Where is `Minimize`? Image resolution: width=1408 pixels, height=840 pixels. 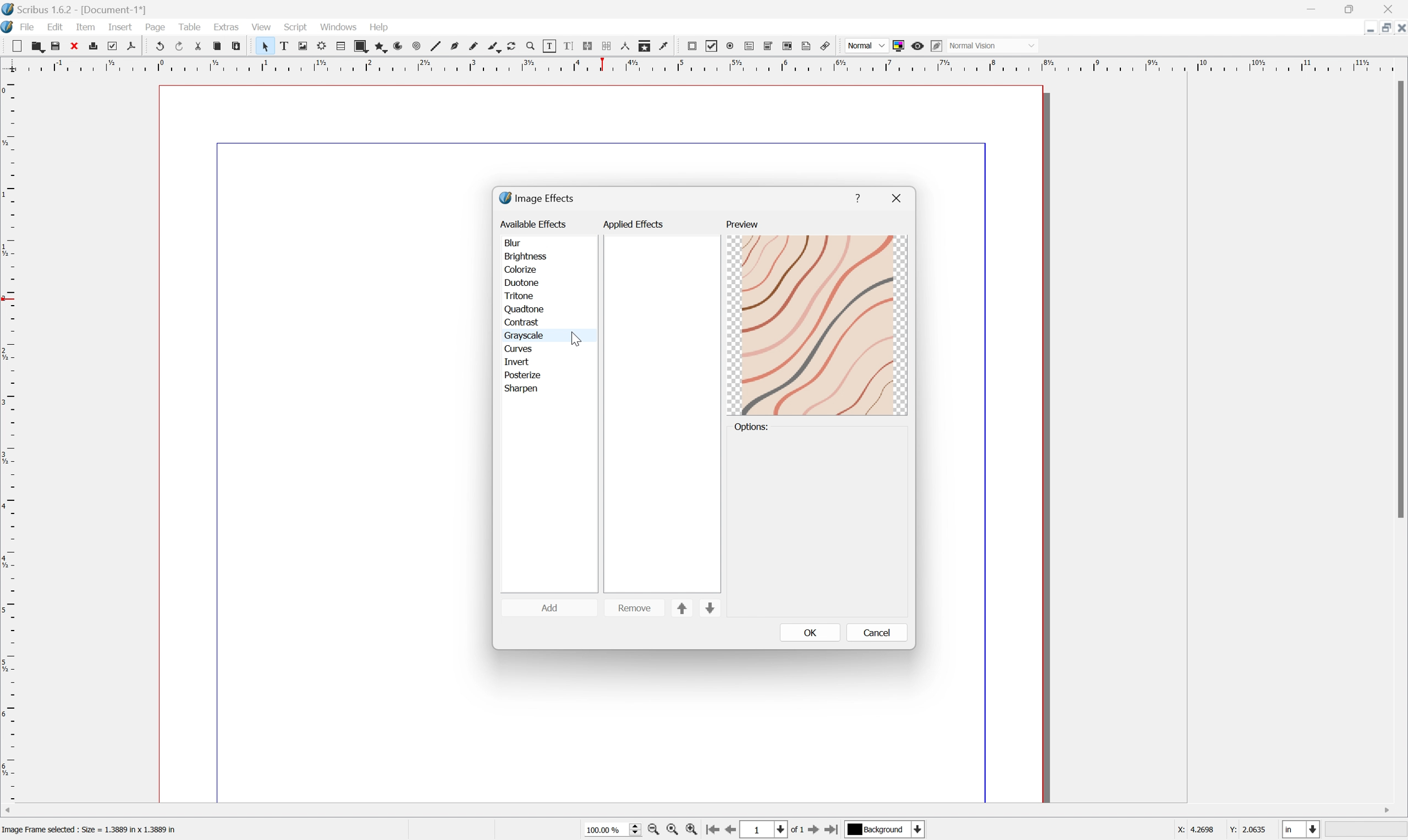
Minimize is located at coordinates (1311, 10).